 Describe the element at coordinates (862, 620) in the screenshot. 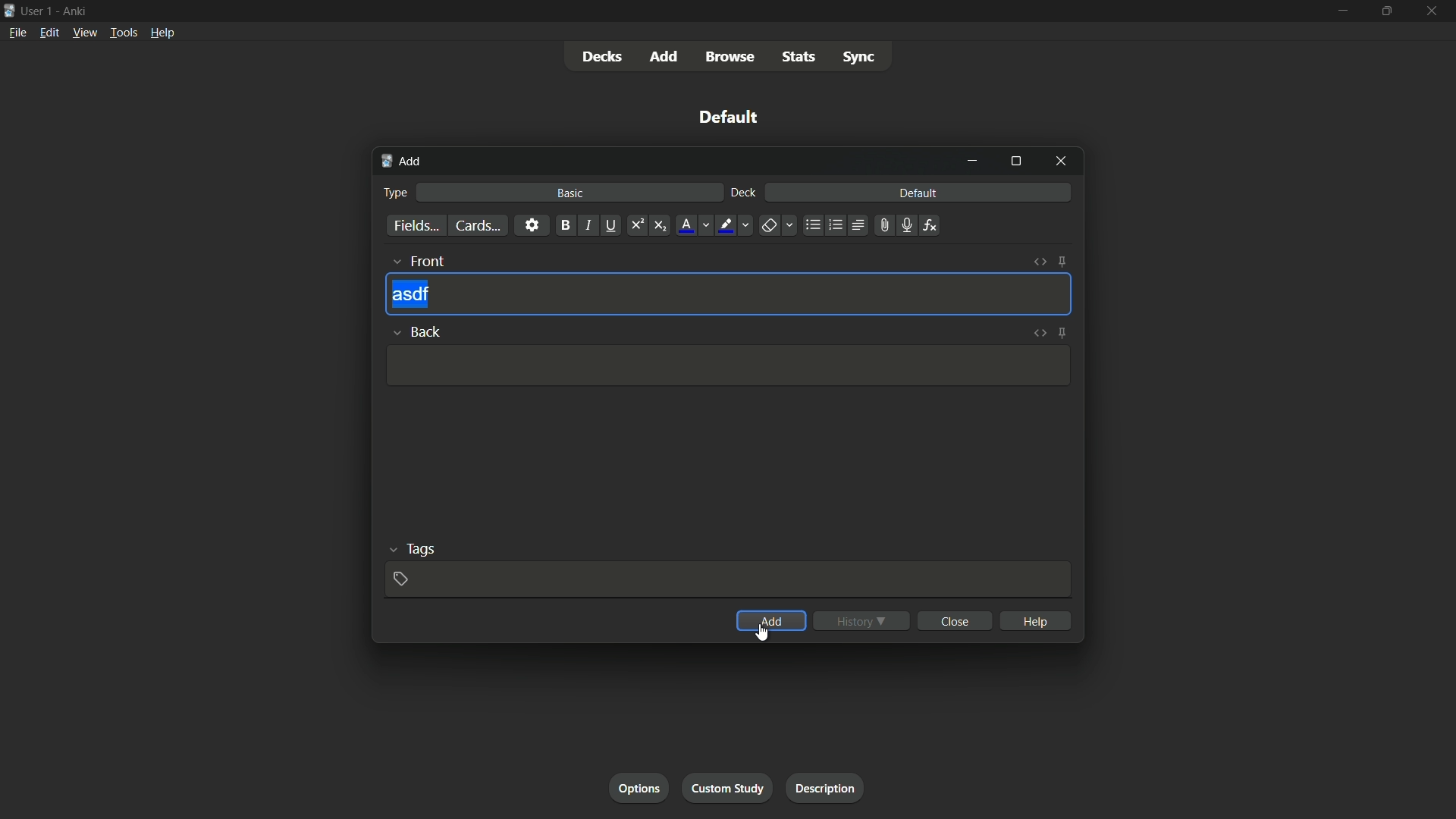

I see `history` at that location.